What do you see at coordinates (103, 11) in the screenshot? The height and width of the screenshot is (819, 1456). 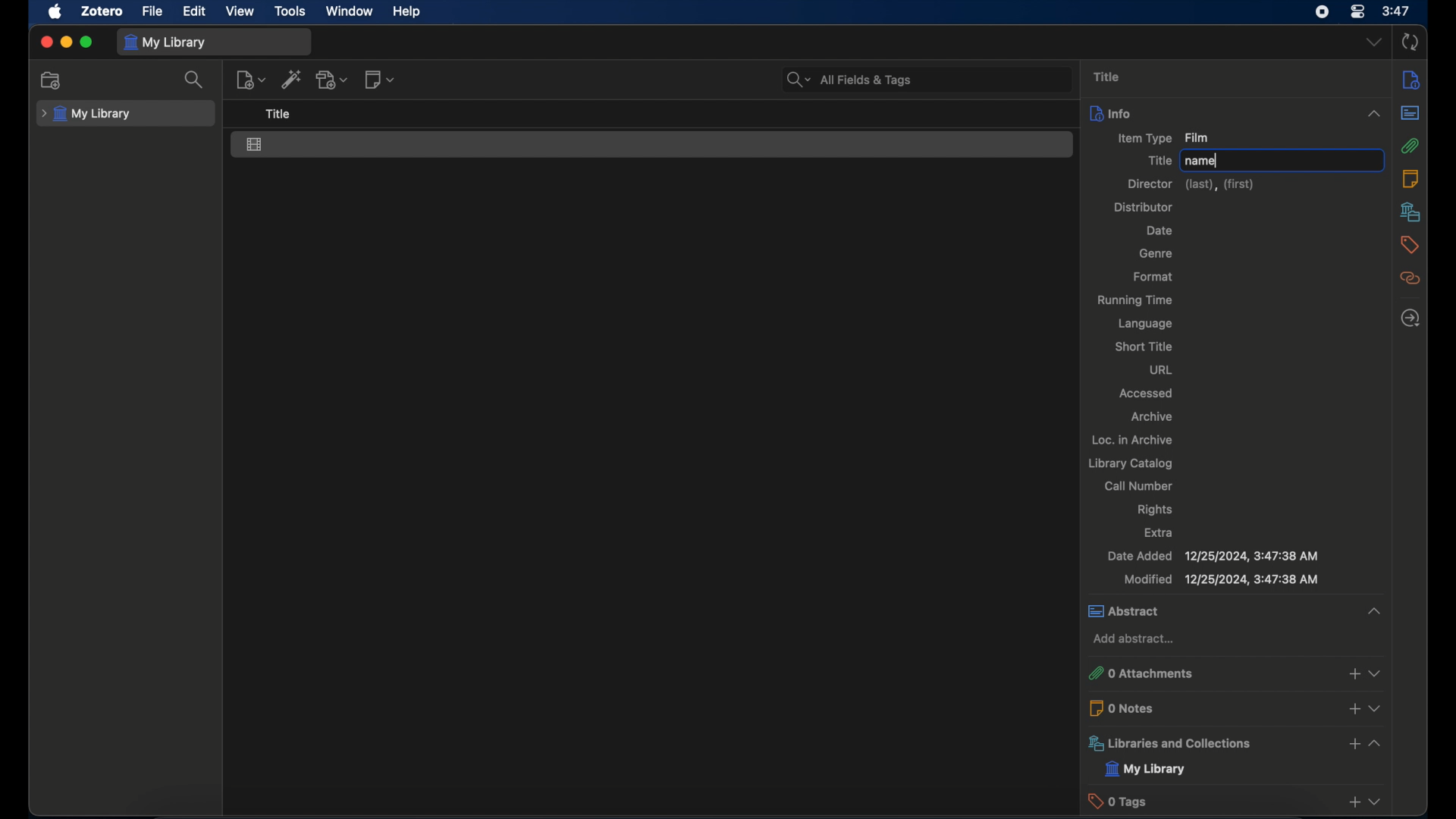 I see `zotero` at bounding box center [103, 11].